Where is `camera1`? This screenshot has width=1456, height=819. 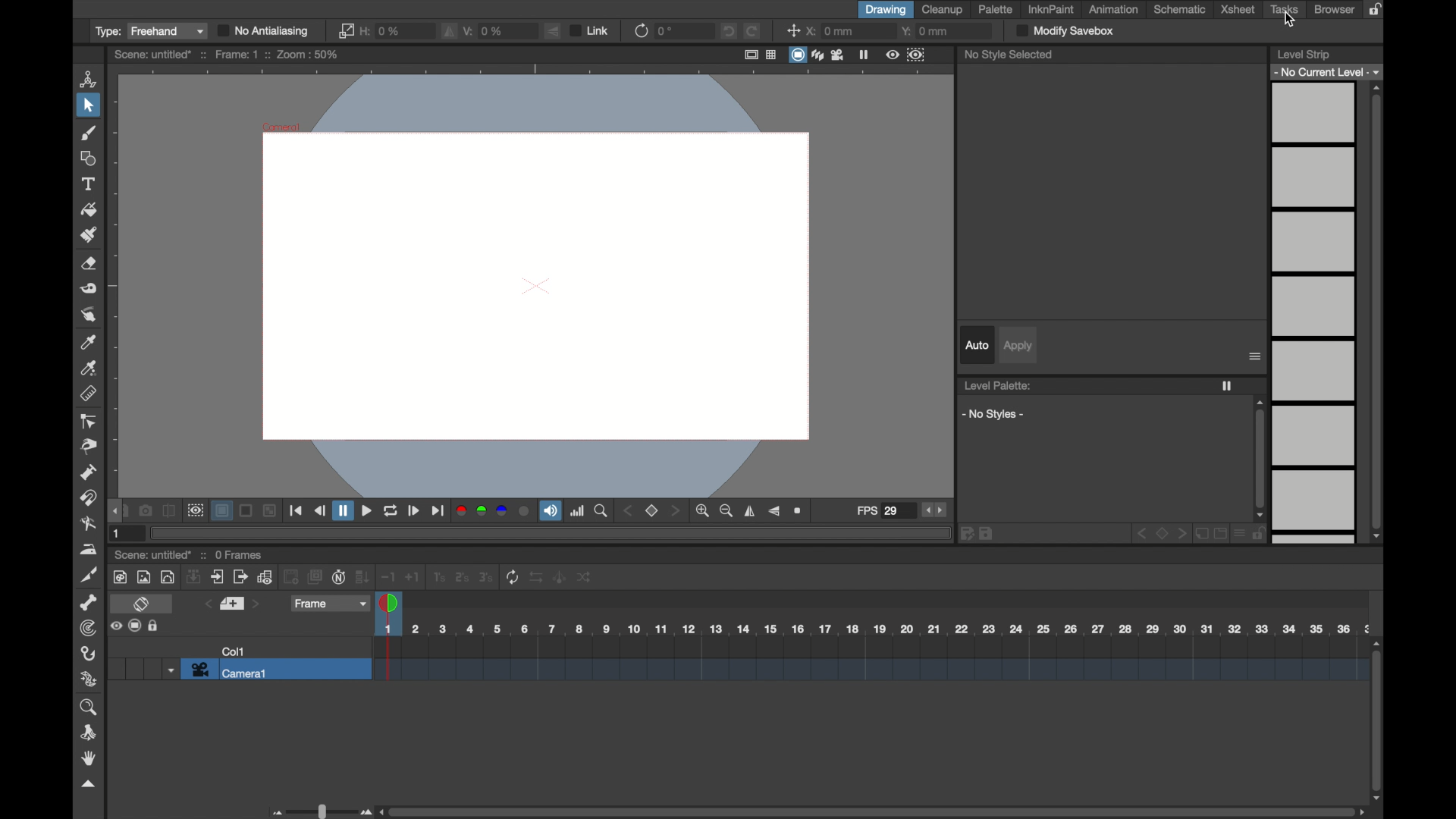
camera1 is located at coordinates (228, 671).